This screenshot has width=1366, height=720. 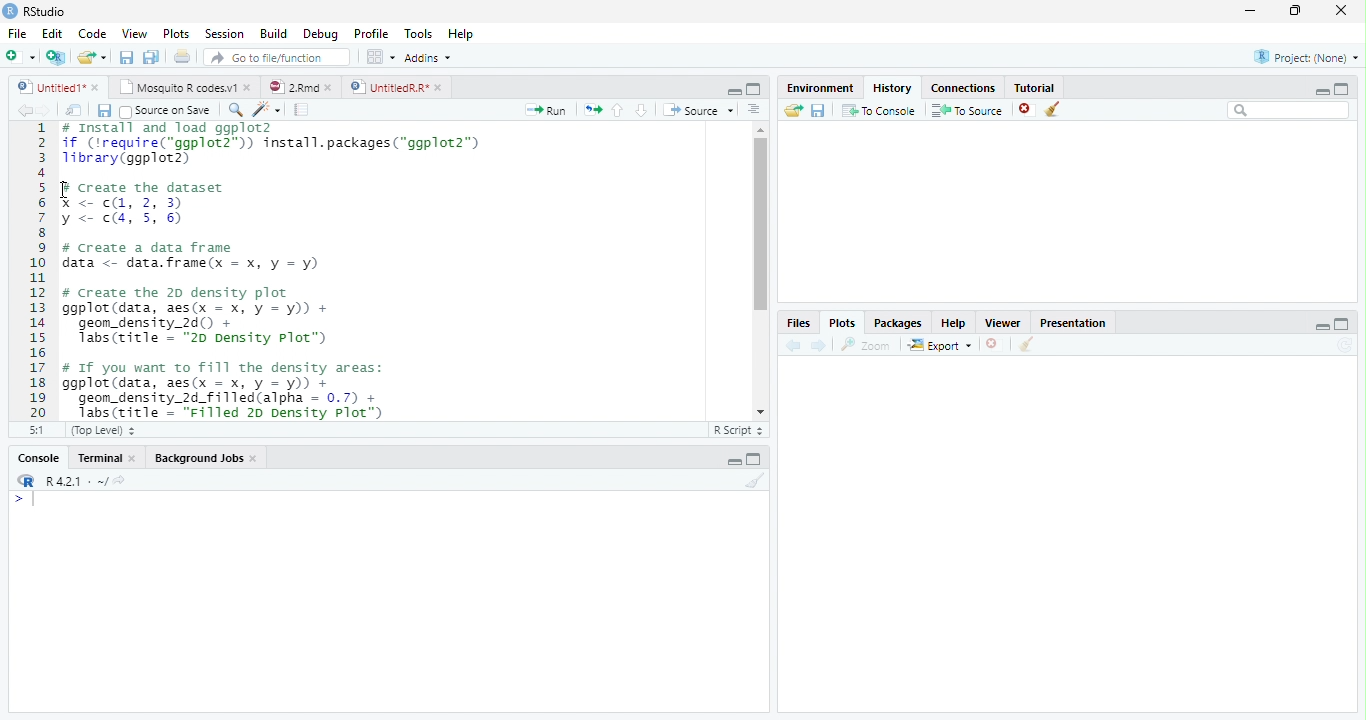 I want to click on Environment, so click(x=818, y=88).